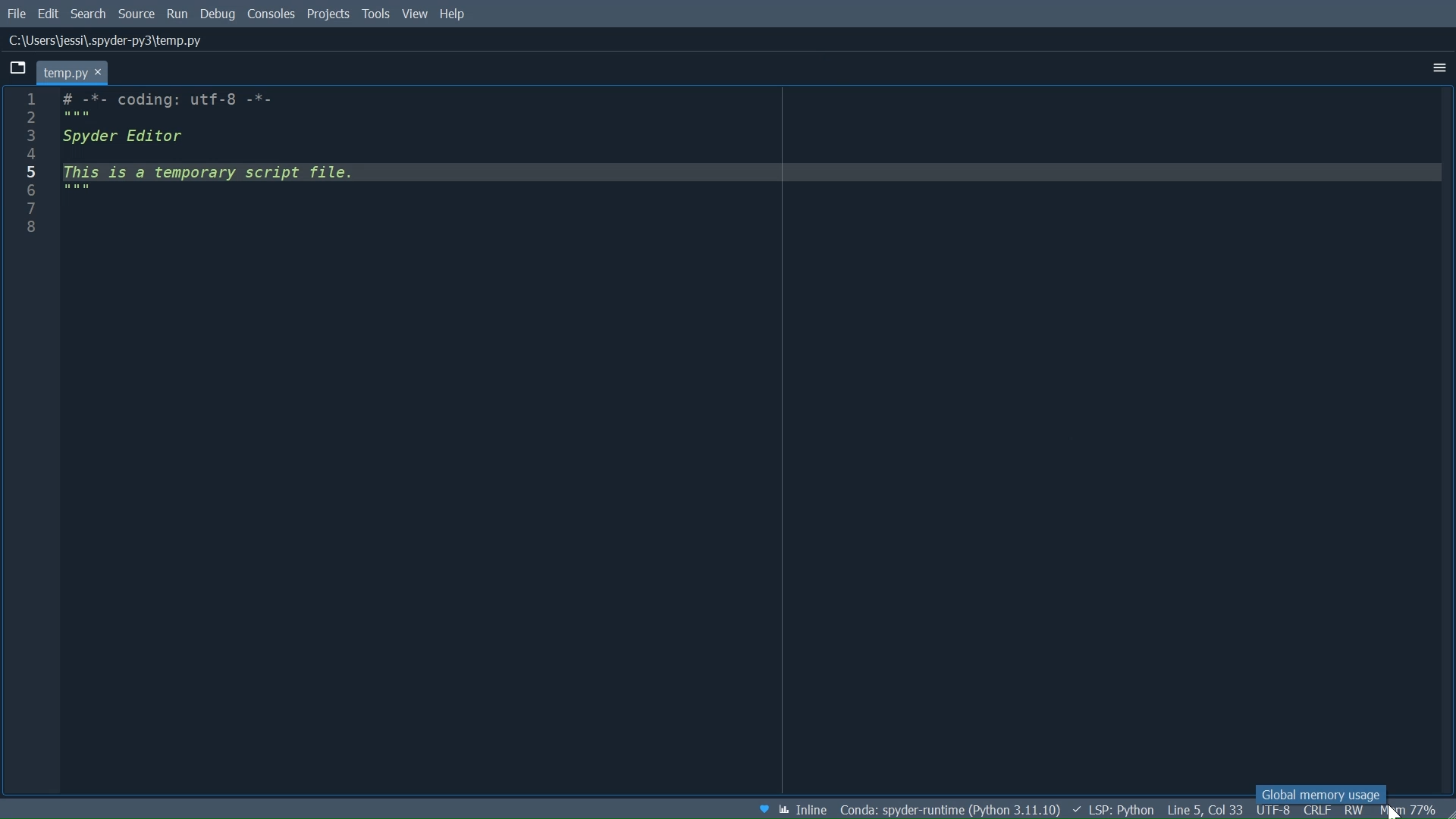  I want to click on File Directory, so click(949, 810).